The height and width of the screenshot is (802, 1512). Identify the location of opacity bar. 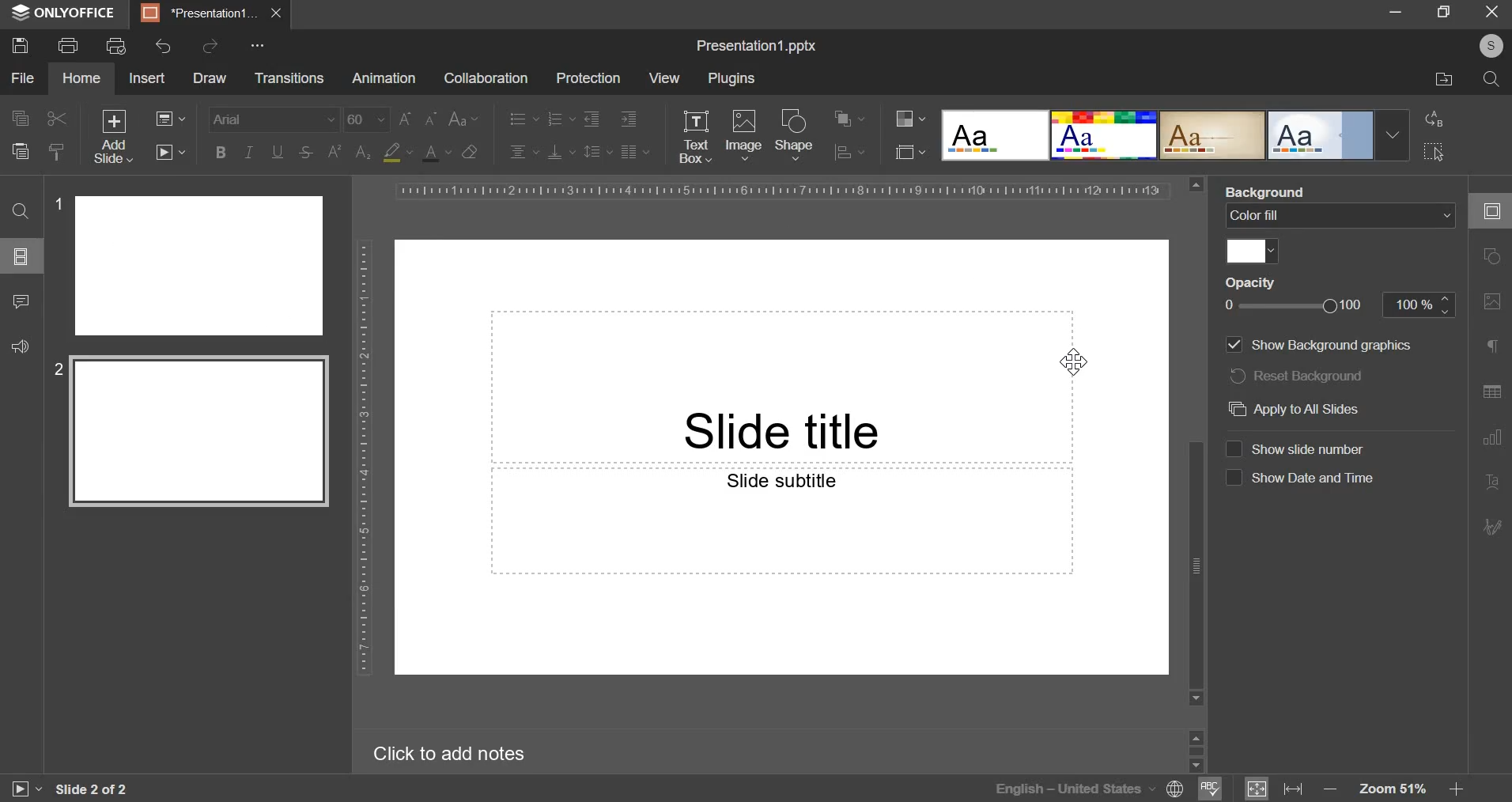
(1294, 307).